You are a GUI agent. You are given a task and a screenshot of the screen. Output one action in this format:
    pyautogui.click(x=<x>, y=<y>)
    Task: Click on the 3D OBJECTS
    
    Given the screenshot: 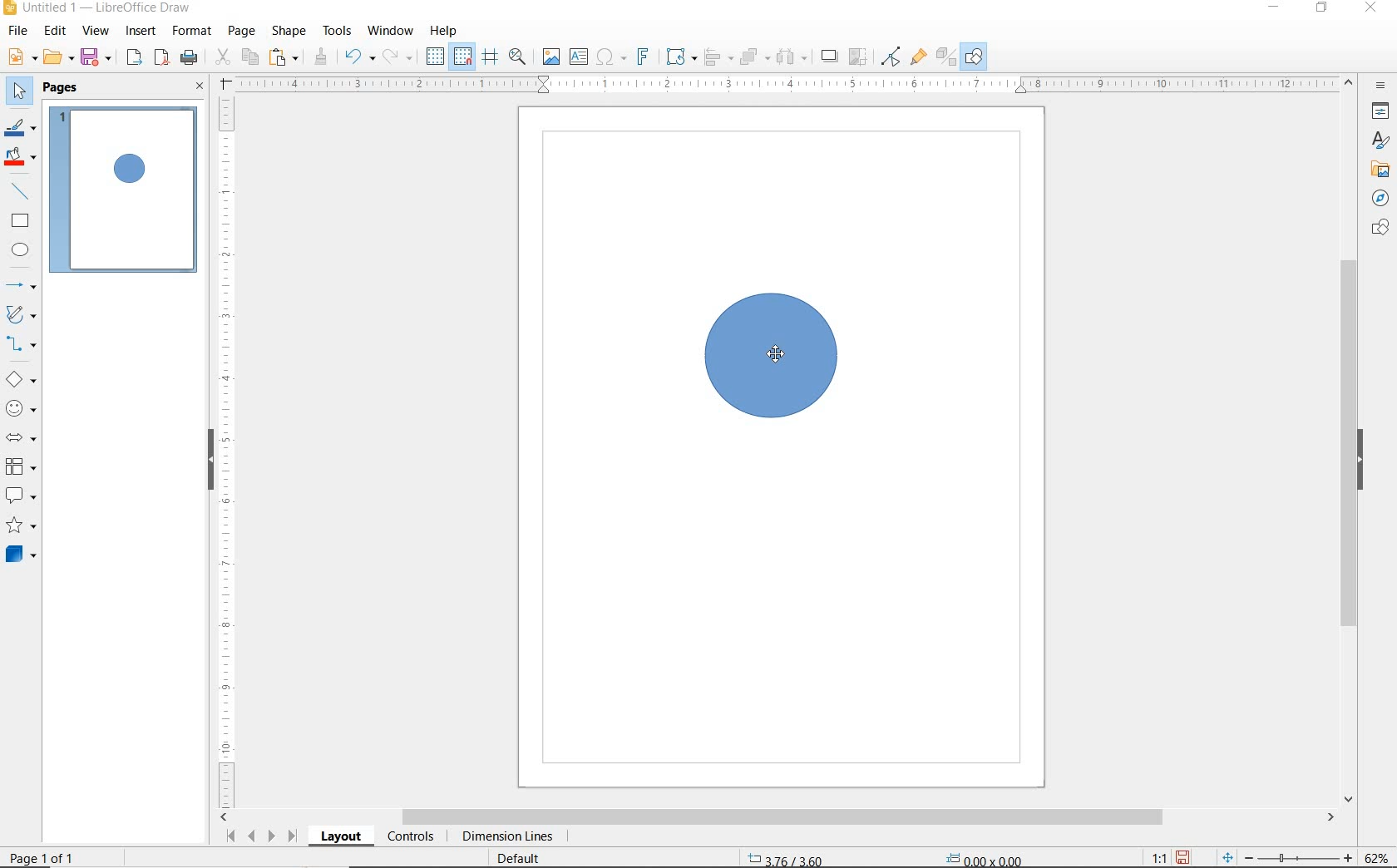 What is the action you would take?
    pyautogui.click(x=23, y=555)
    